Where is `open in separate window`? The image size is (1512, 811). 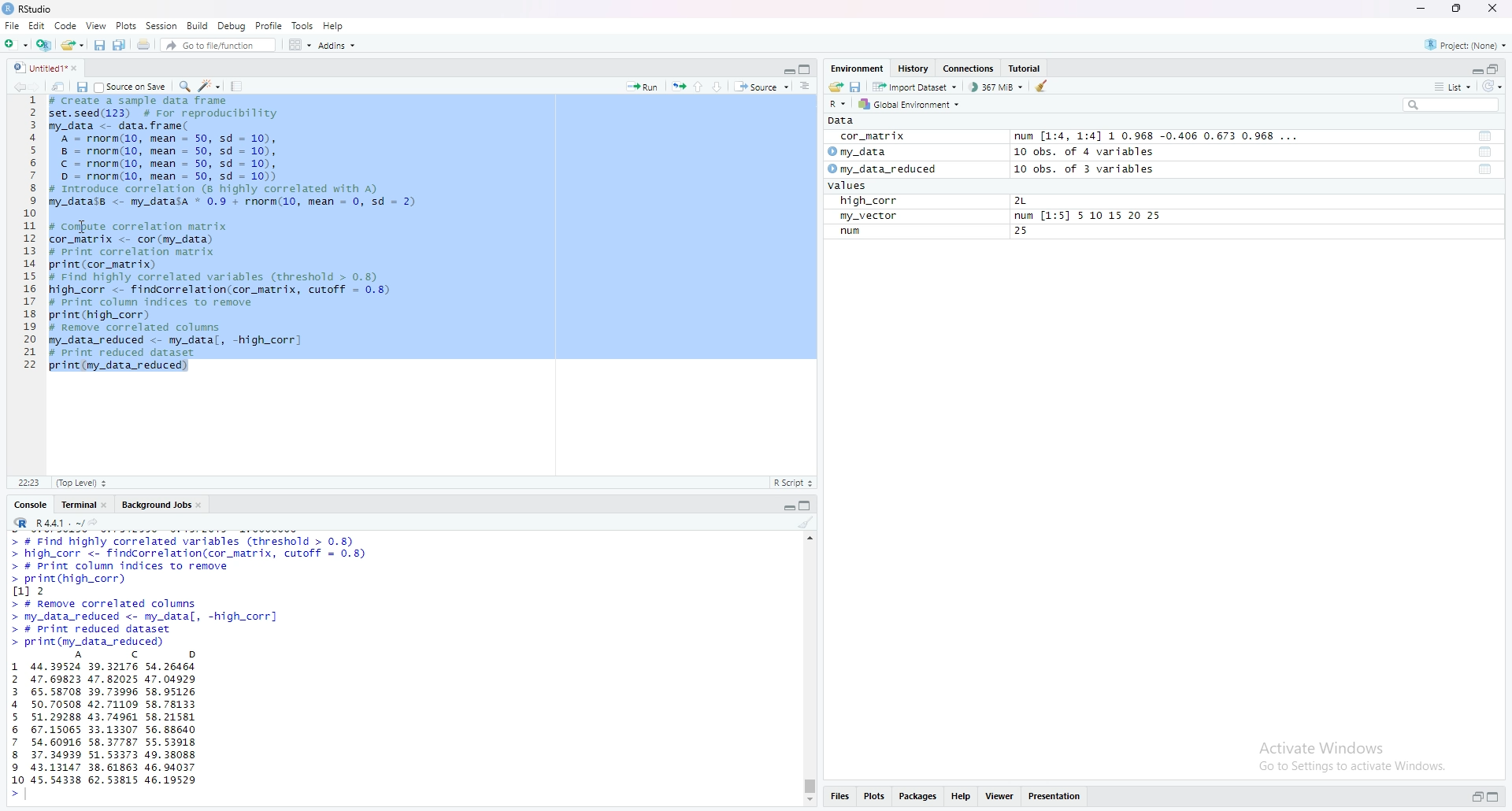 open in separate window is located at coordinates (1495, 69).